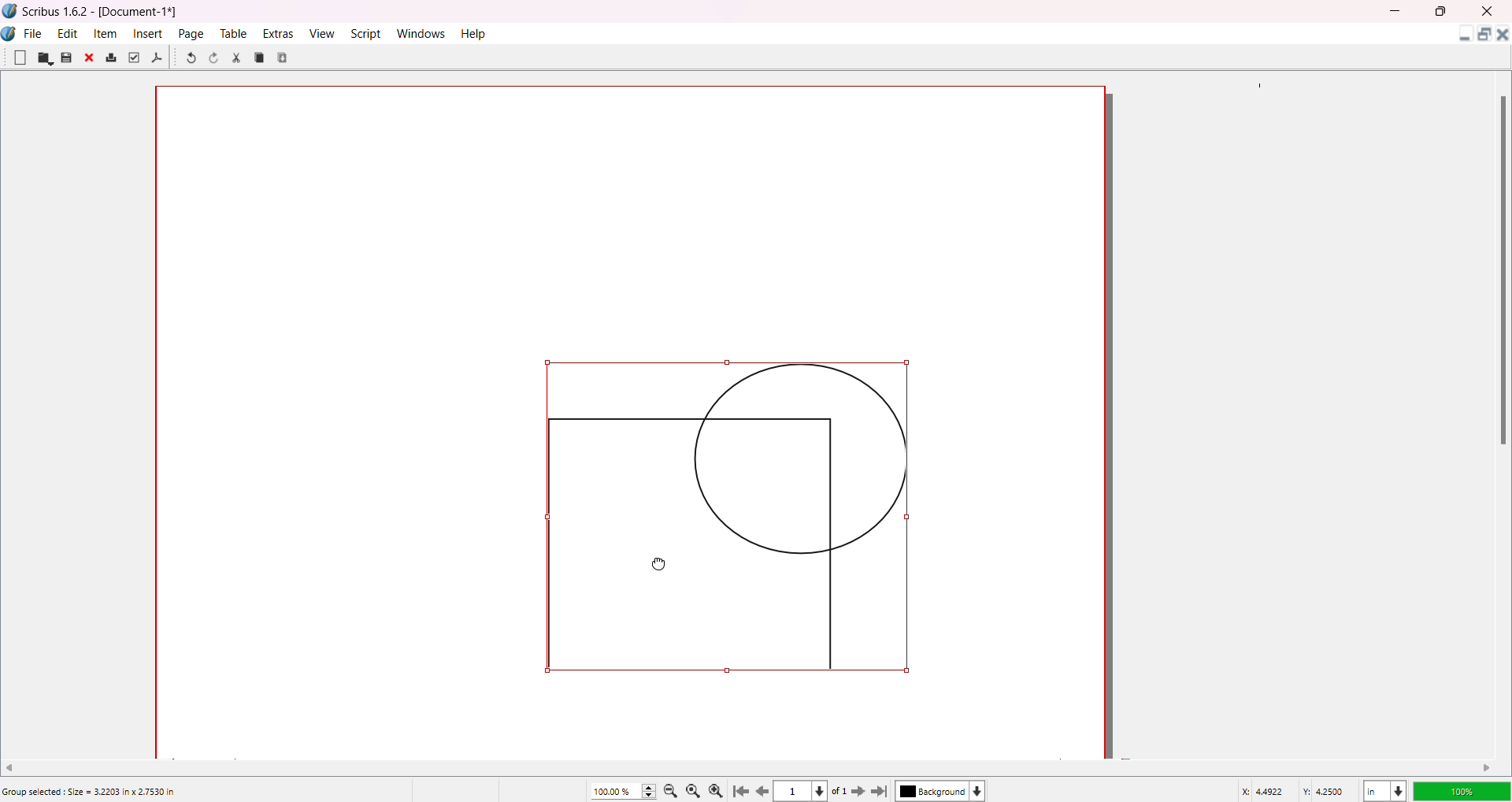  What do you see at coordinates (45, 58) in the screenshot?
I see `Open` at bounding box center [45, 58].